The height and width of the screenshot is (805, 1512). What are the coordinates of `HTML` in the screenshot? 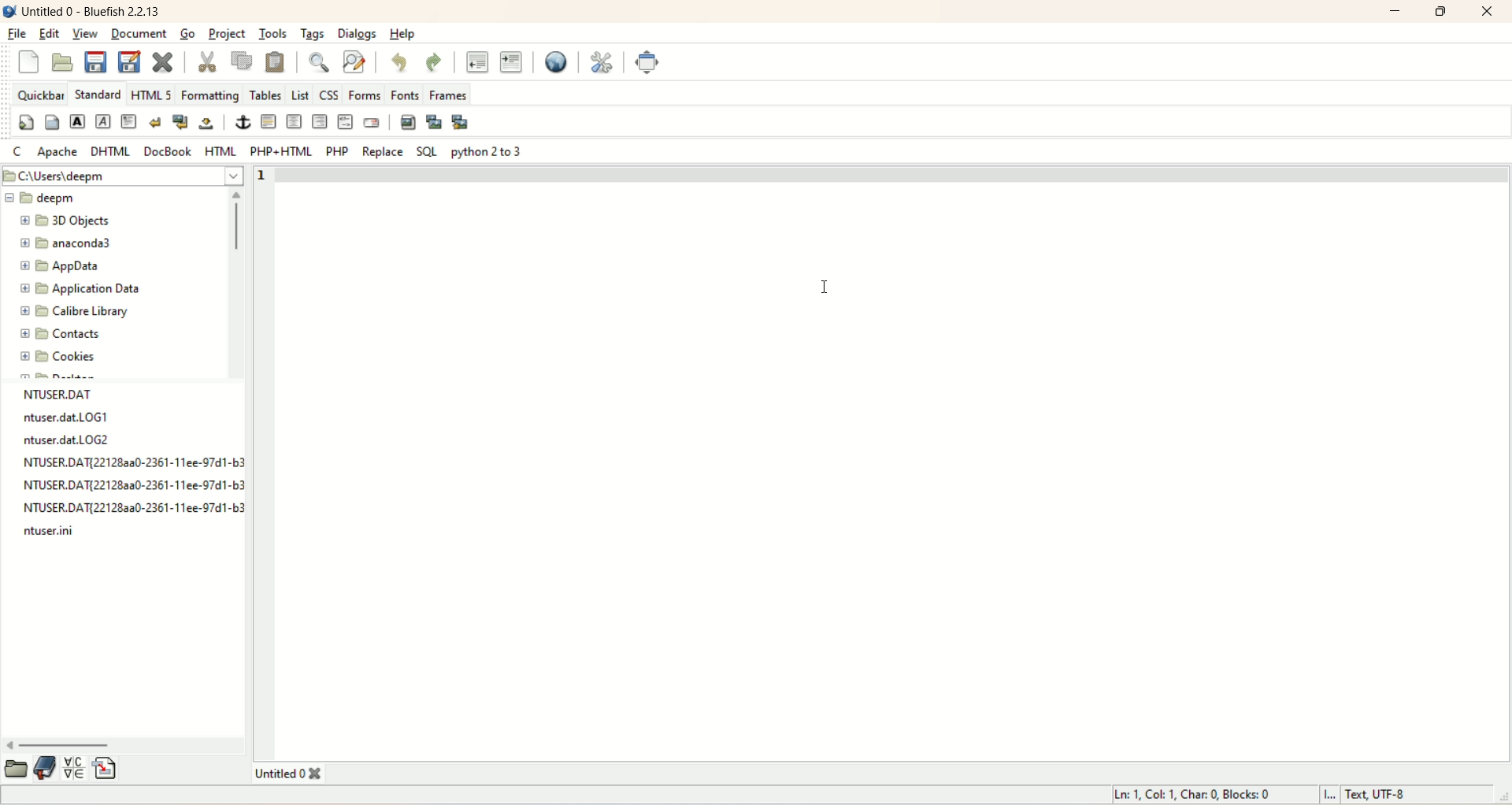 It's located at (219, 150).